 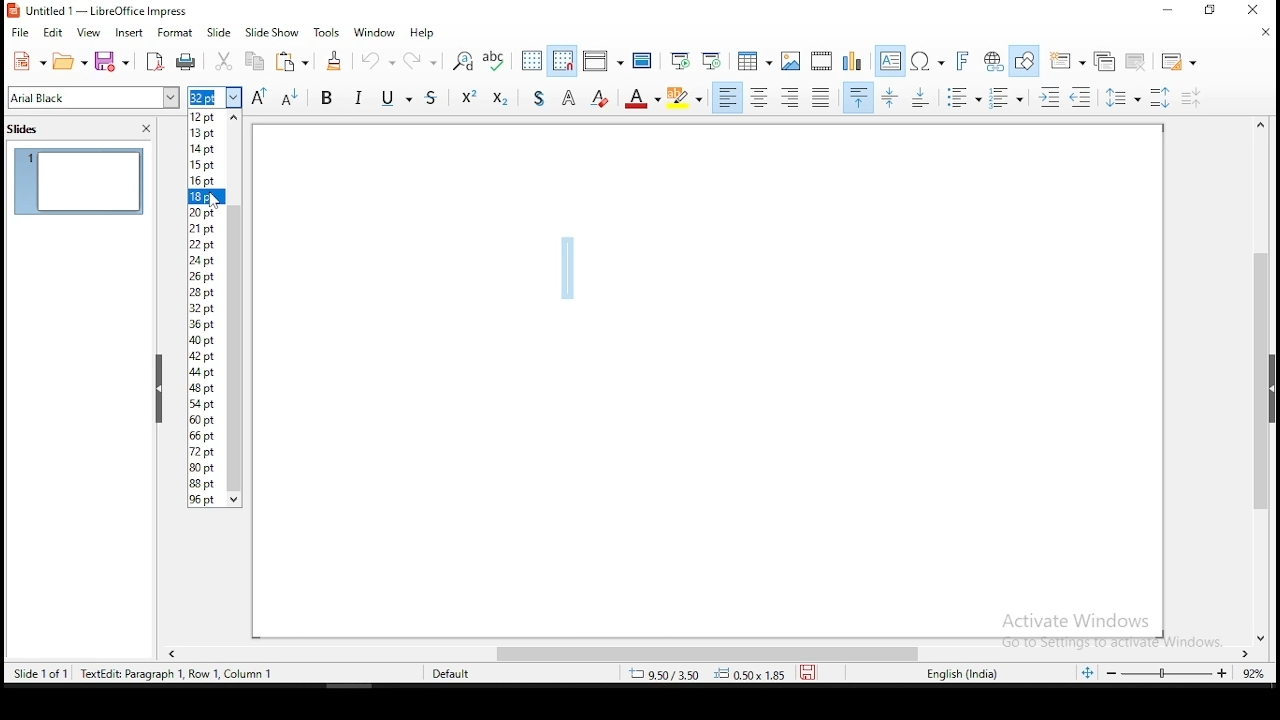 I want to click on view, so click(x=90, y=34).